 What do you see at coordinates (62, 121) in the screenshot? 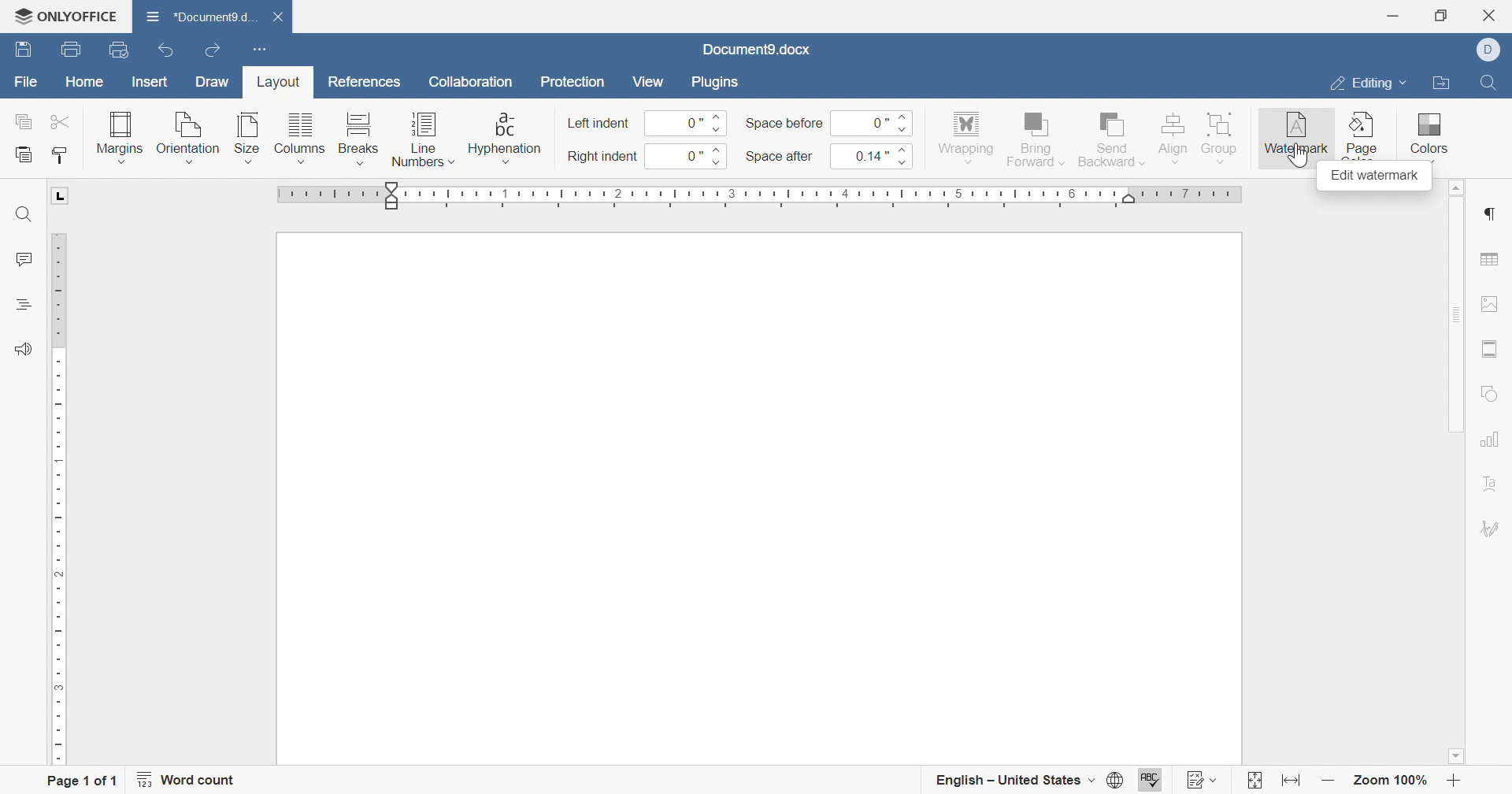
I see `cut` at bounding box center [62, 121].